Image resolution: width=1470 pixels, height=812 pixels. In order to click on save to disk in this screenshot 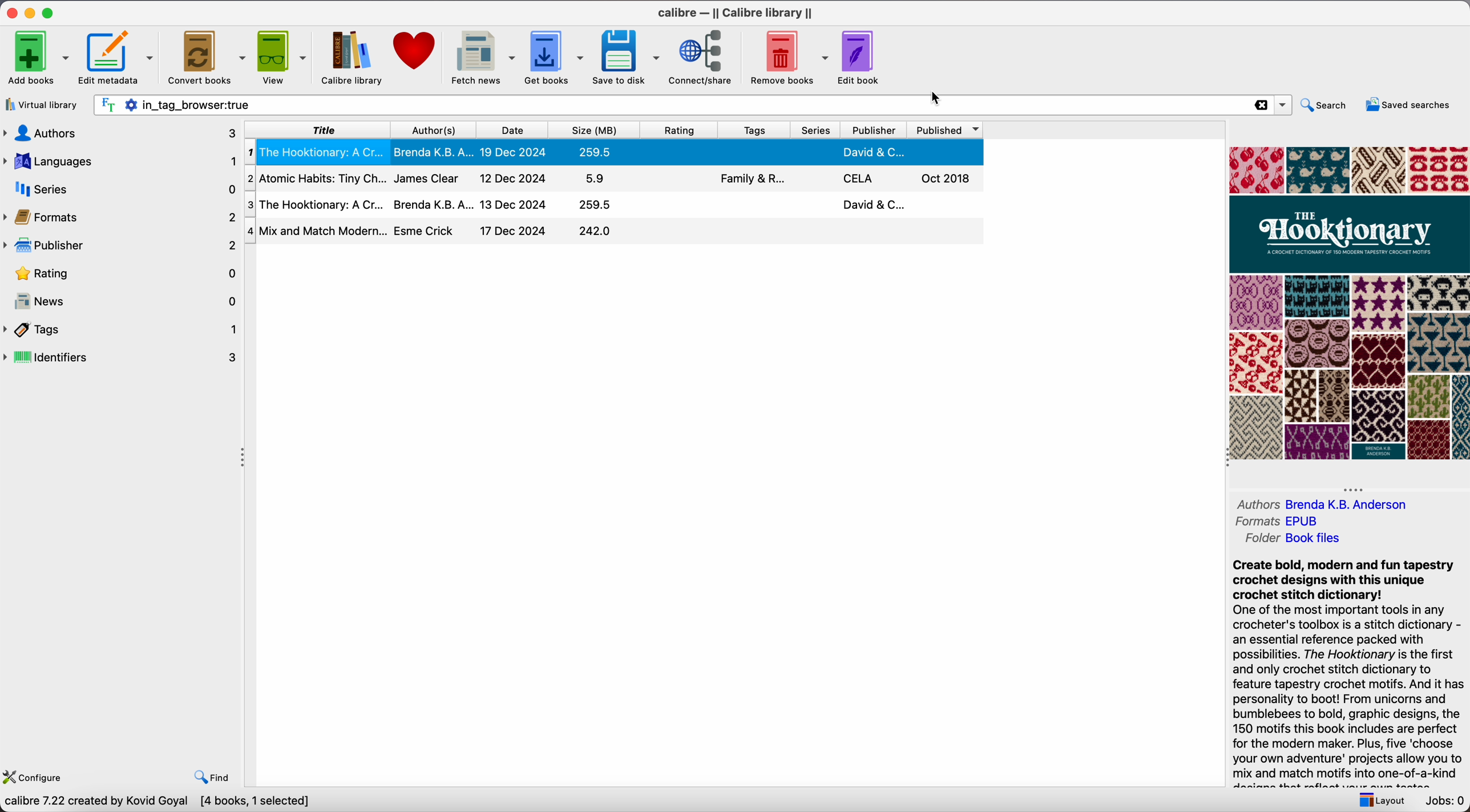, I will do `click(629, 56)`.